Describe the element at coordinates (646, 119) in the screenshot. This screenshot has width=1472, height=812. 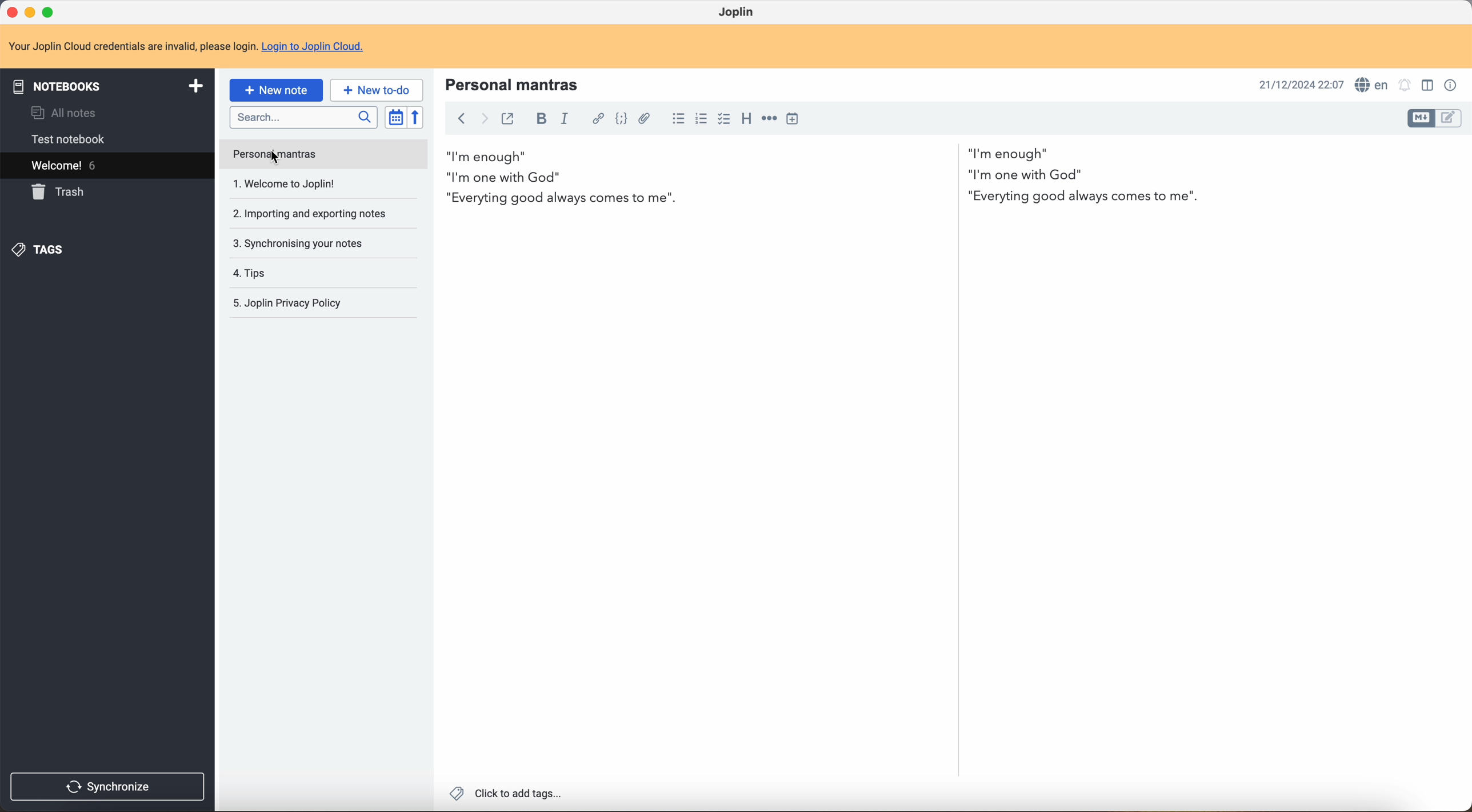
I see `attach file` at that location.